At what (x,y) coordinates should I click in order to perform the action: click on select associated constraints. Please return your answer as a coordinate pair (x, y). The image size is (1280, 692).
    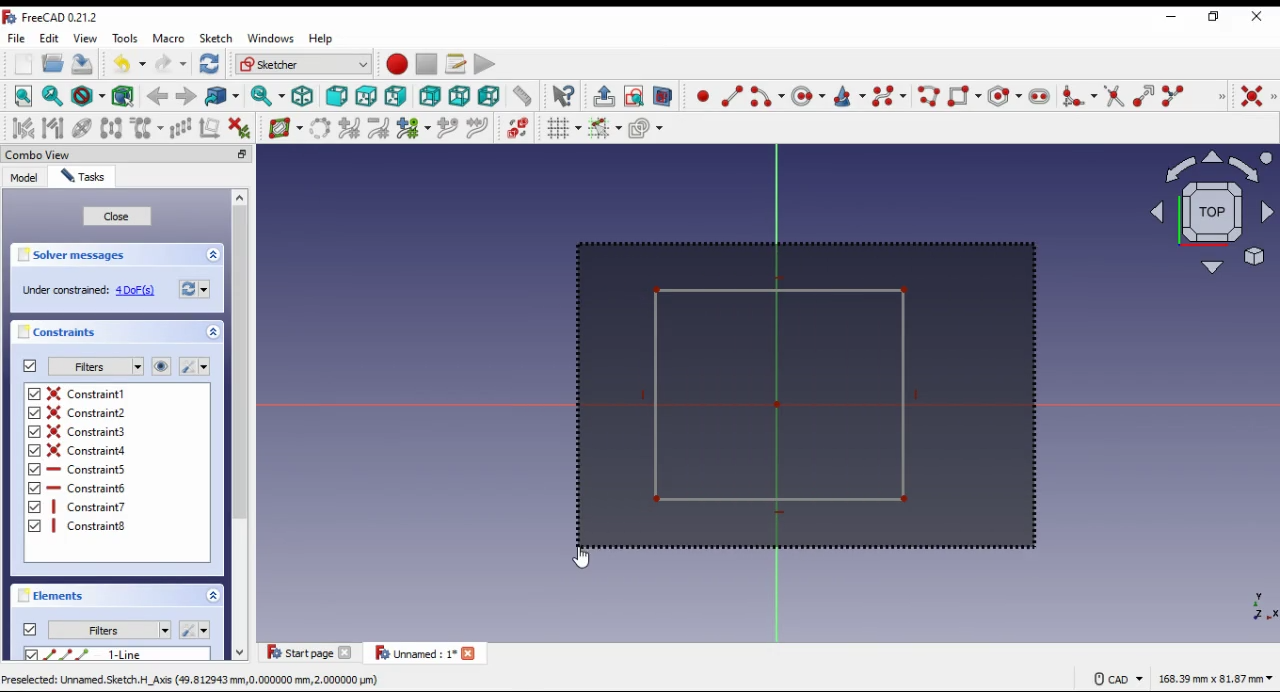
    Looking at the image, I should click on (24, 128).